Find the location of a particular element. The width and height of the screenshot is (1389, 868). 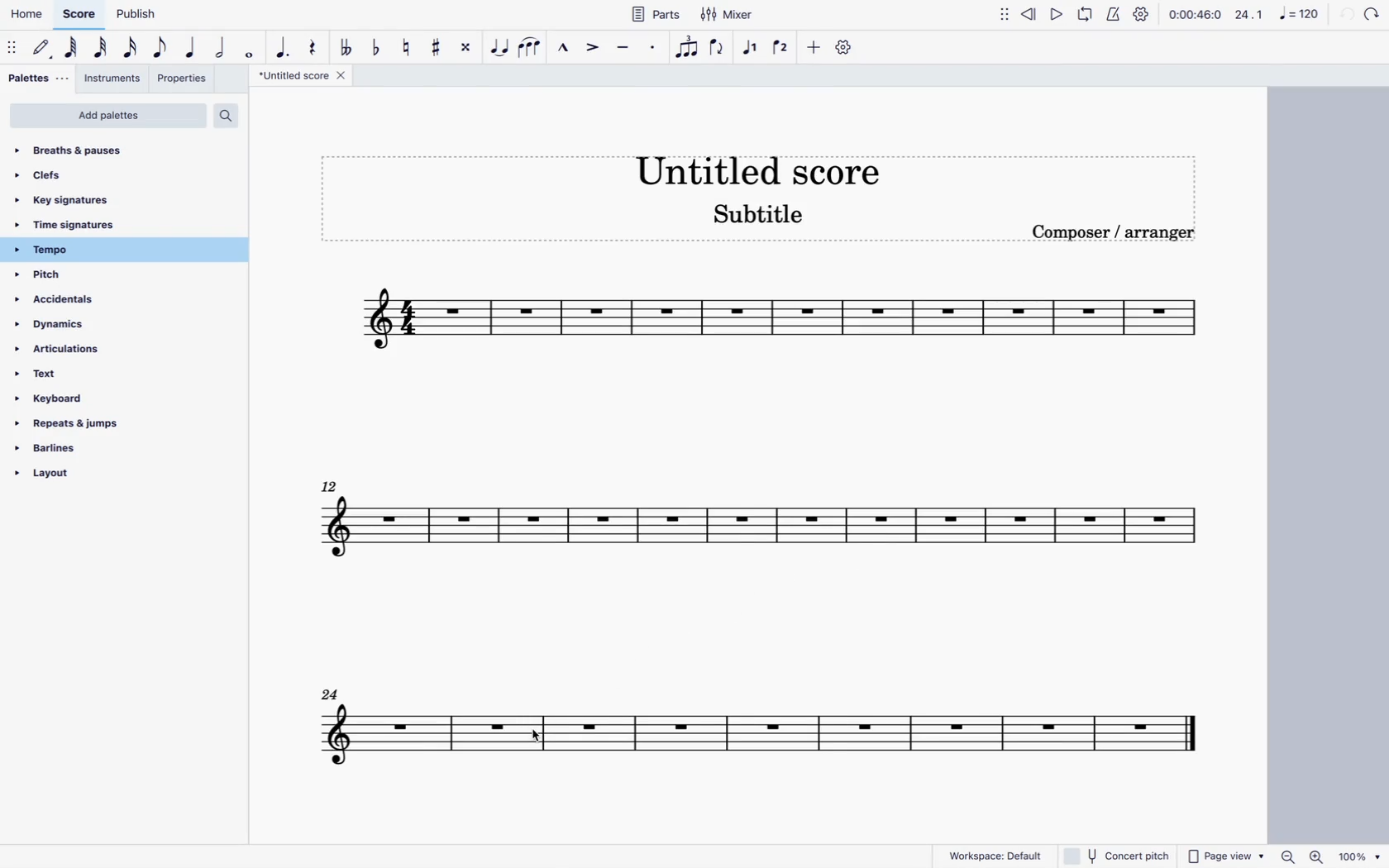

clefs is located at coordinates (55, 179).